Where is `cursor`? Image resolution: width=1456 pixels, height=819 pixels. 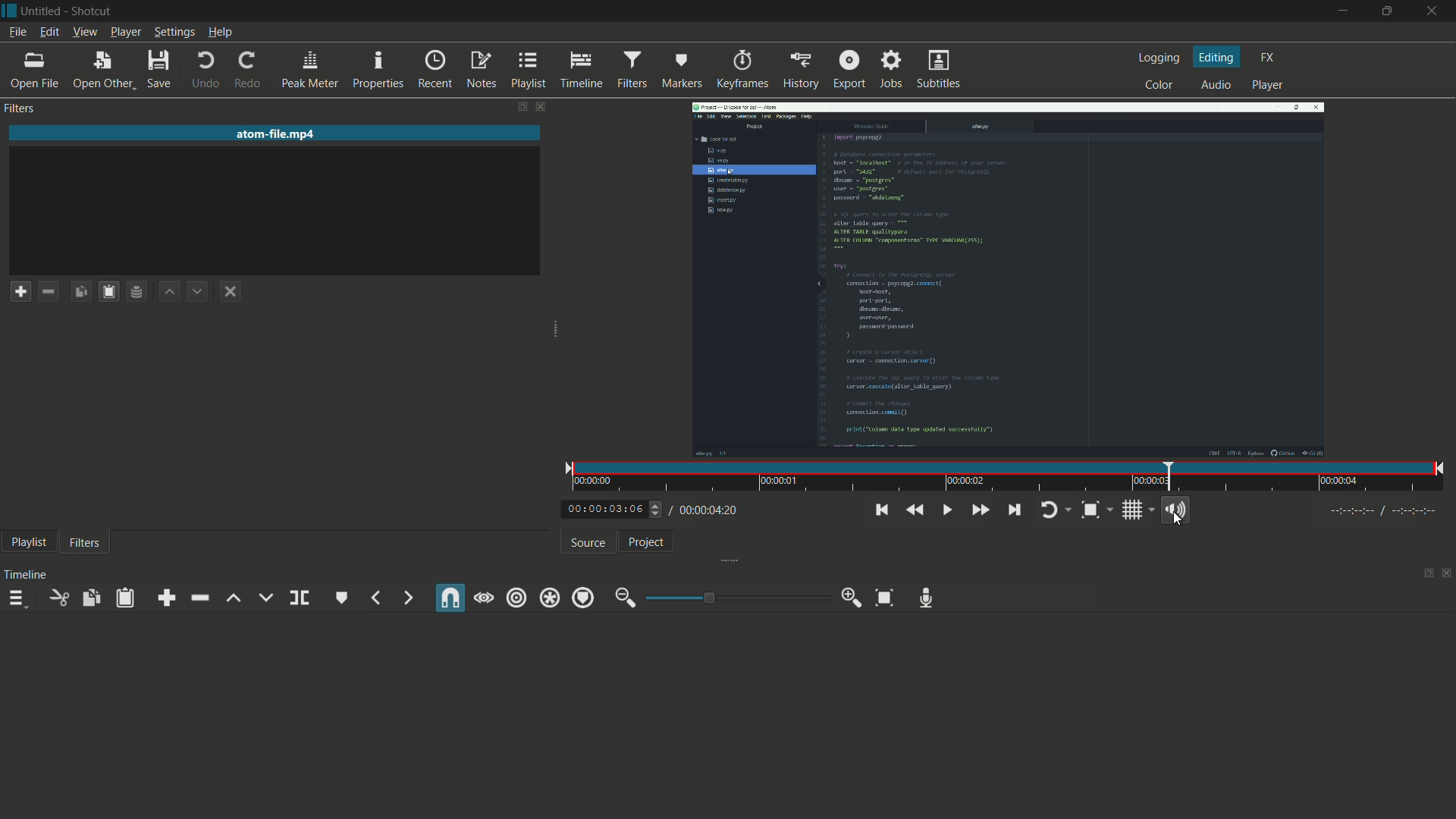
cursor is located at coordinates (1178, 522).